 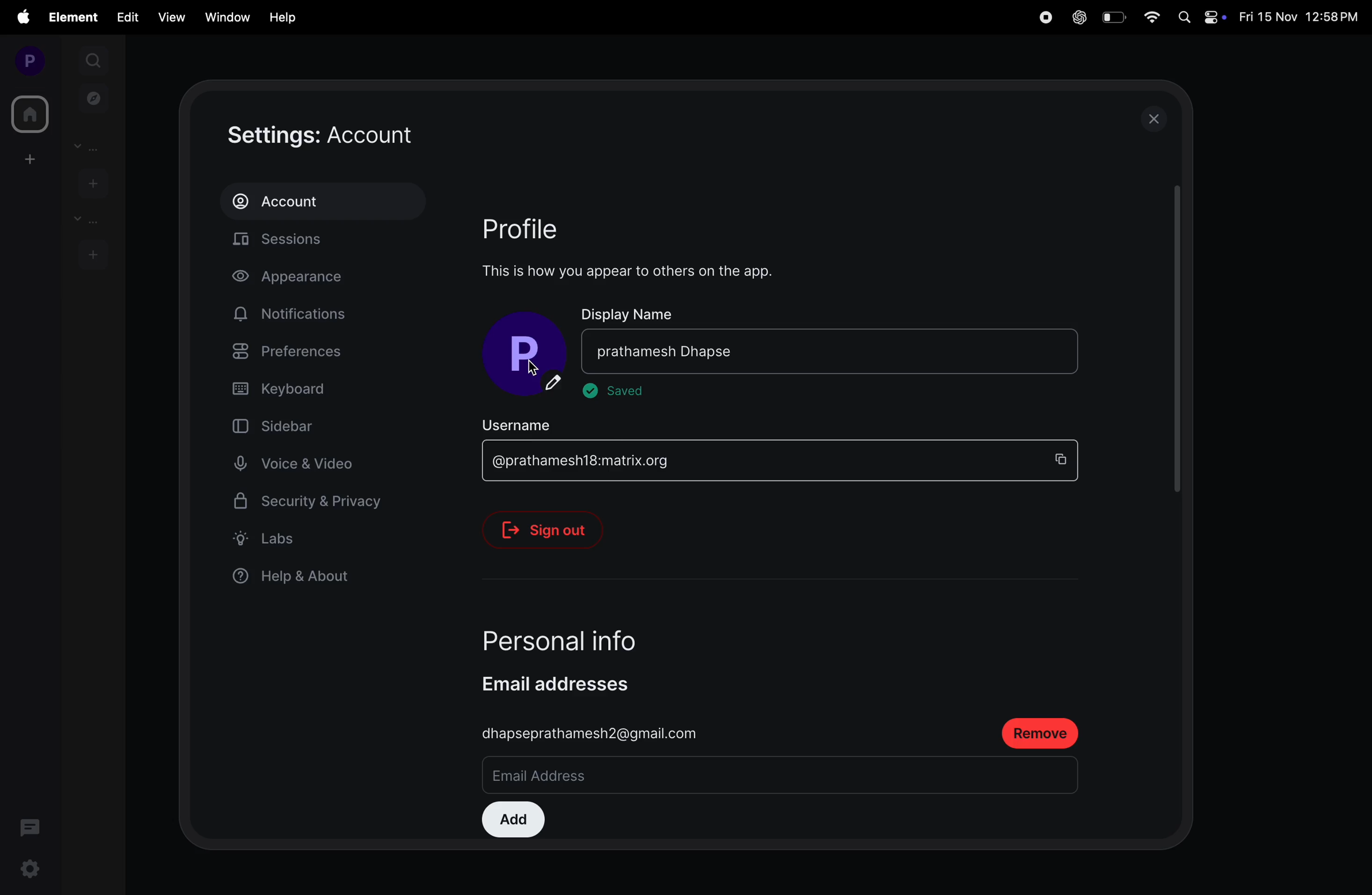 I want to click on close, so click(x=1158, y=118).